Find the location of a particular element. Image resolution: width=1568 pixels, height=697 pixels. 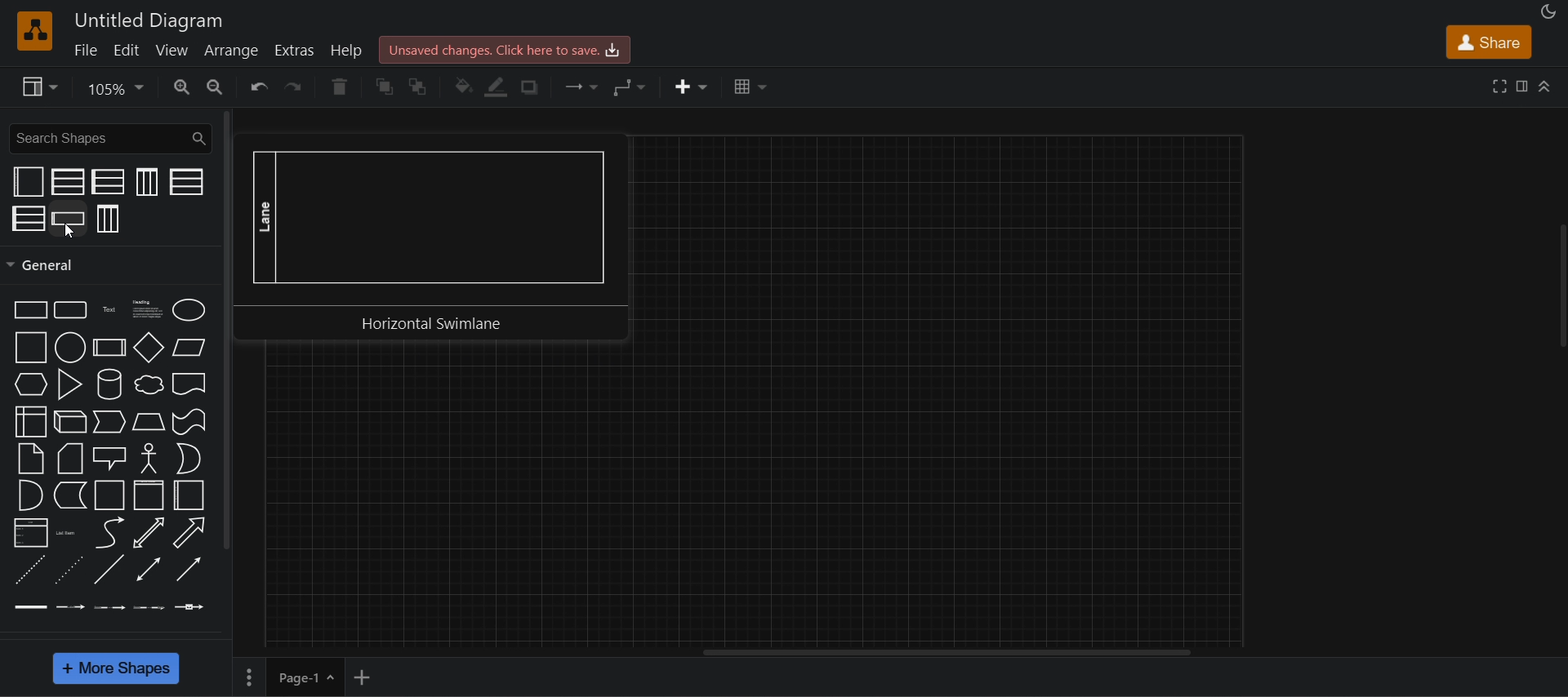

tape is located at coordinates (188, 422).